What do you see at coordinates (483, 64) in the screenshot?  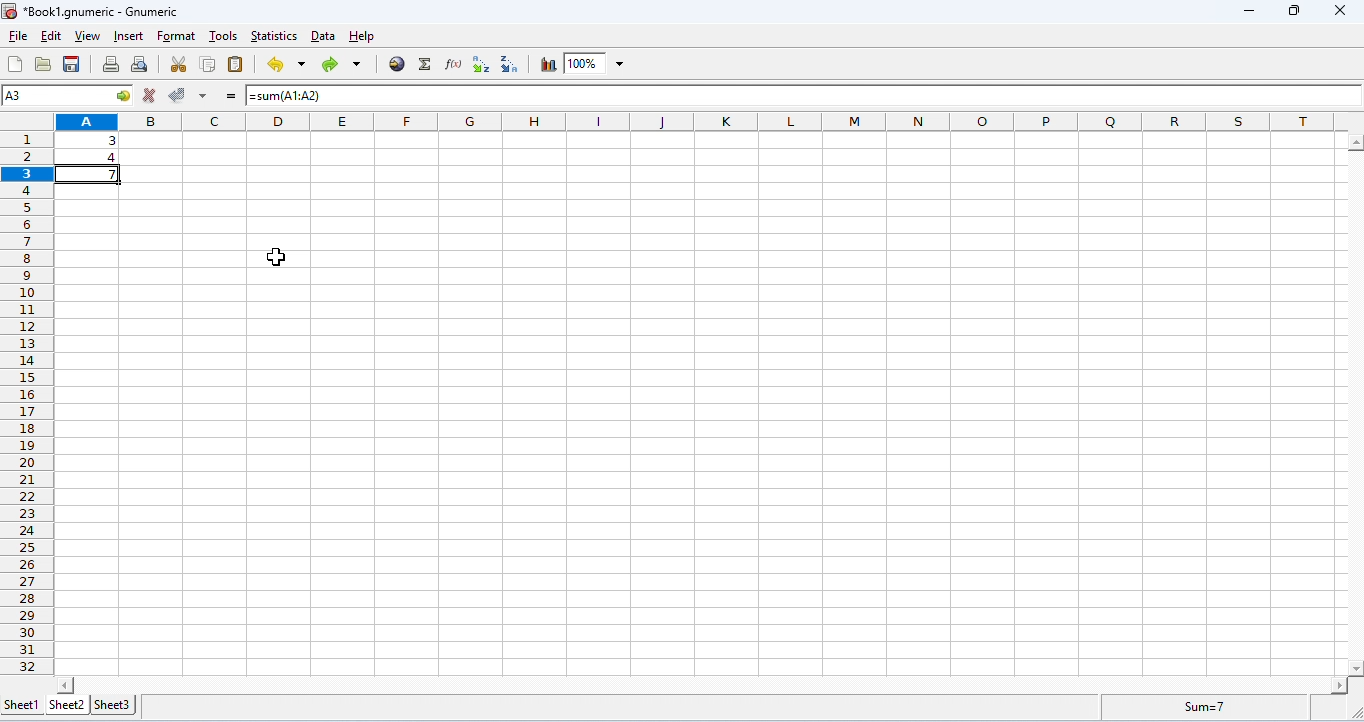 I see `sort ascending` at bounding box center [483, 64].